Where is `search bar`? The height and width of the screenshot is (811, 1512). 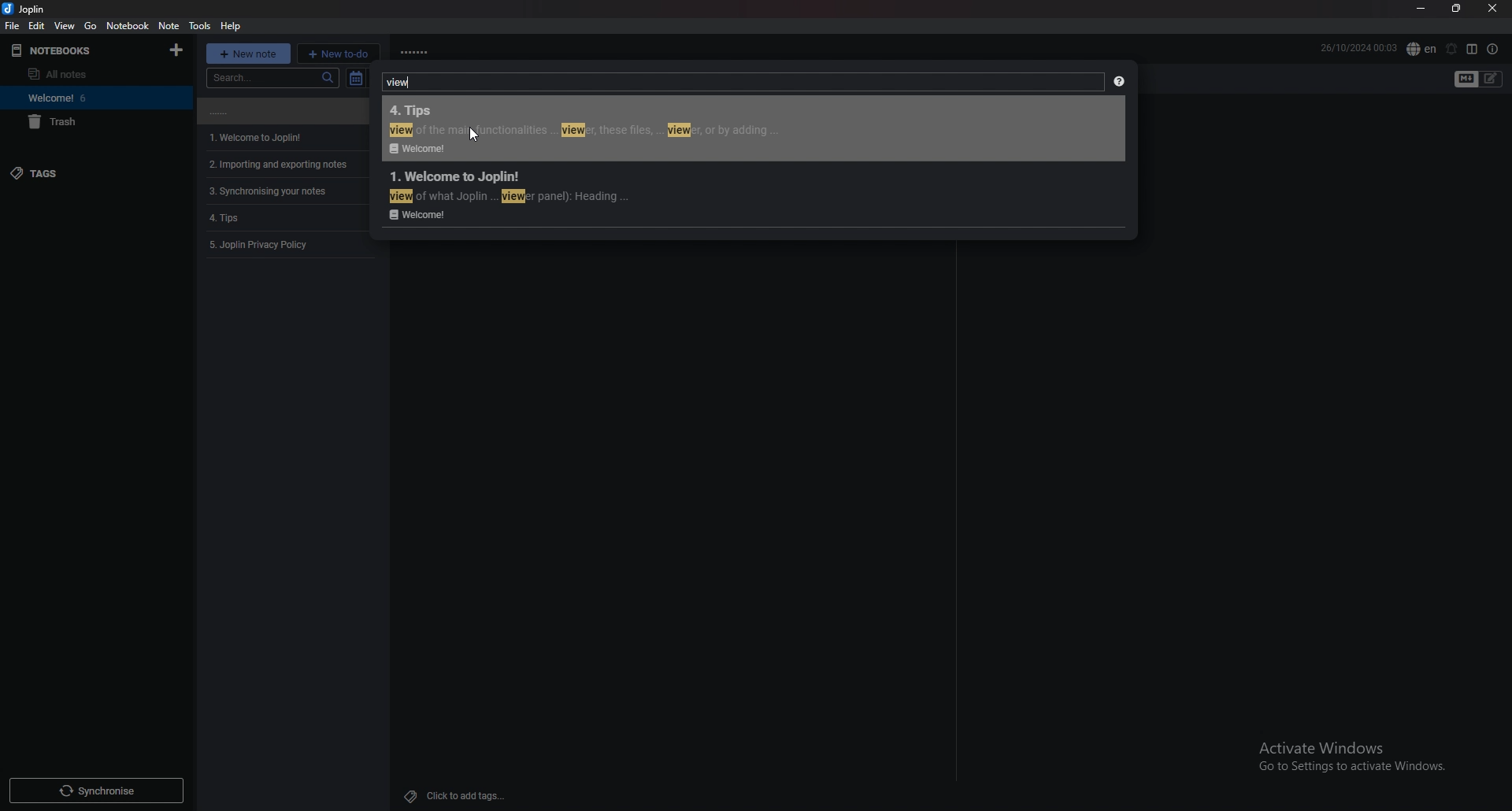
search bar is located at coordinates (276, 77).